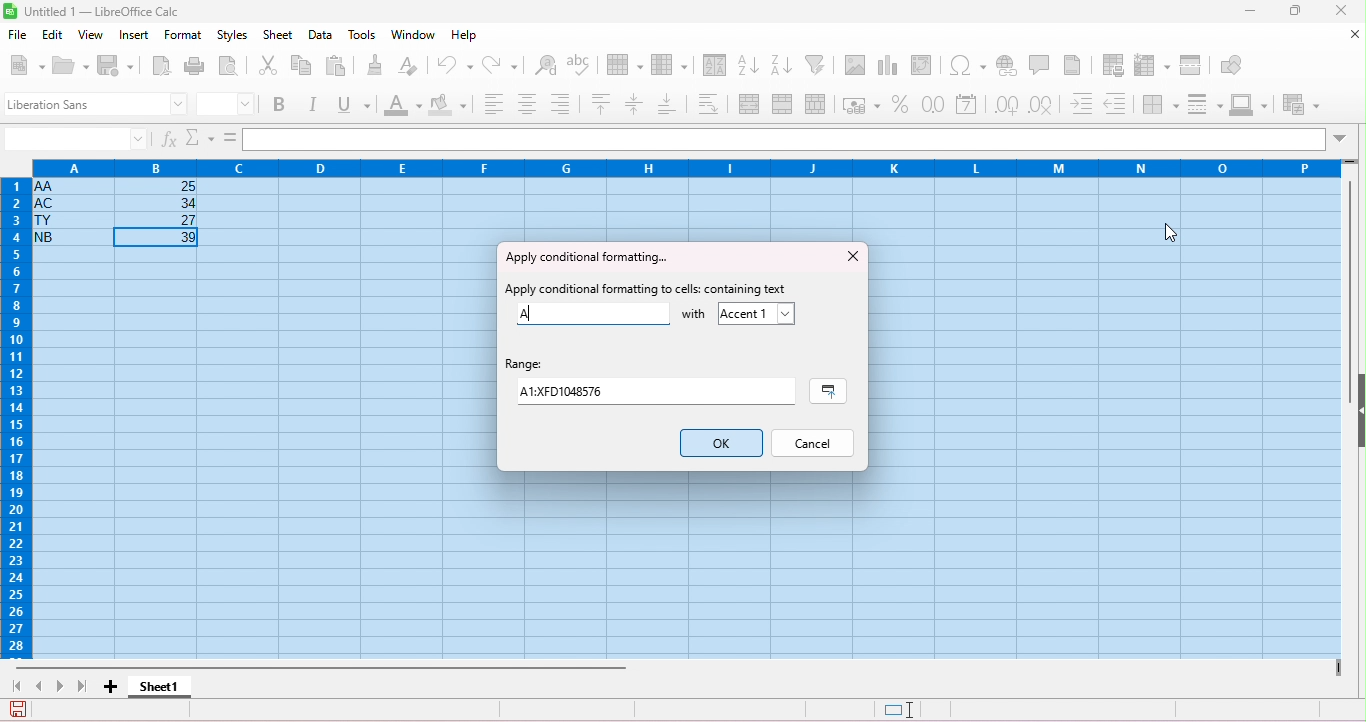 Image resolution: width=1366 pixels, height=722 pixels. Describe the element at coordinates (527, 366) in the screenshot. I see `range` at that location.